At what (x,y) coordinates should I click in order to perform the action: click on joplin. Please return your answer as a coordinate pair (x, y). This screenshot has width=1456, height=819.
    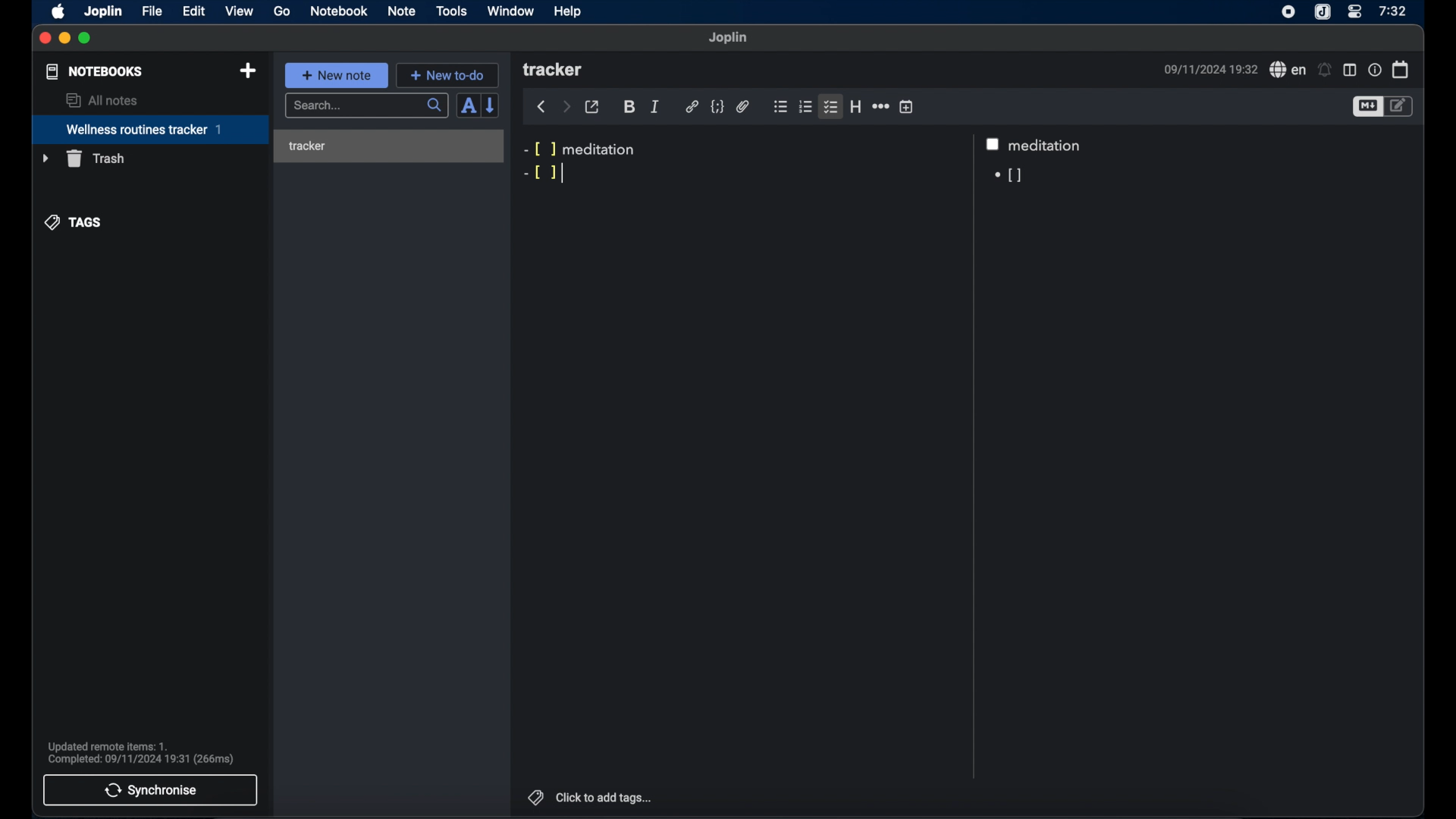
    Looking at the image, I should click on (729, 38).